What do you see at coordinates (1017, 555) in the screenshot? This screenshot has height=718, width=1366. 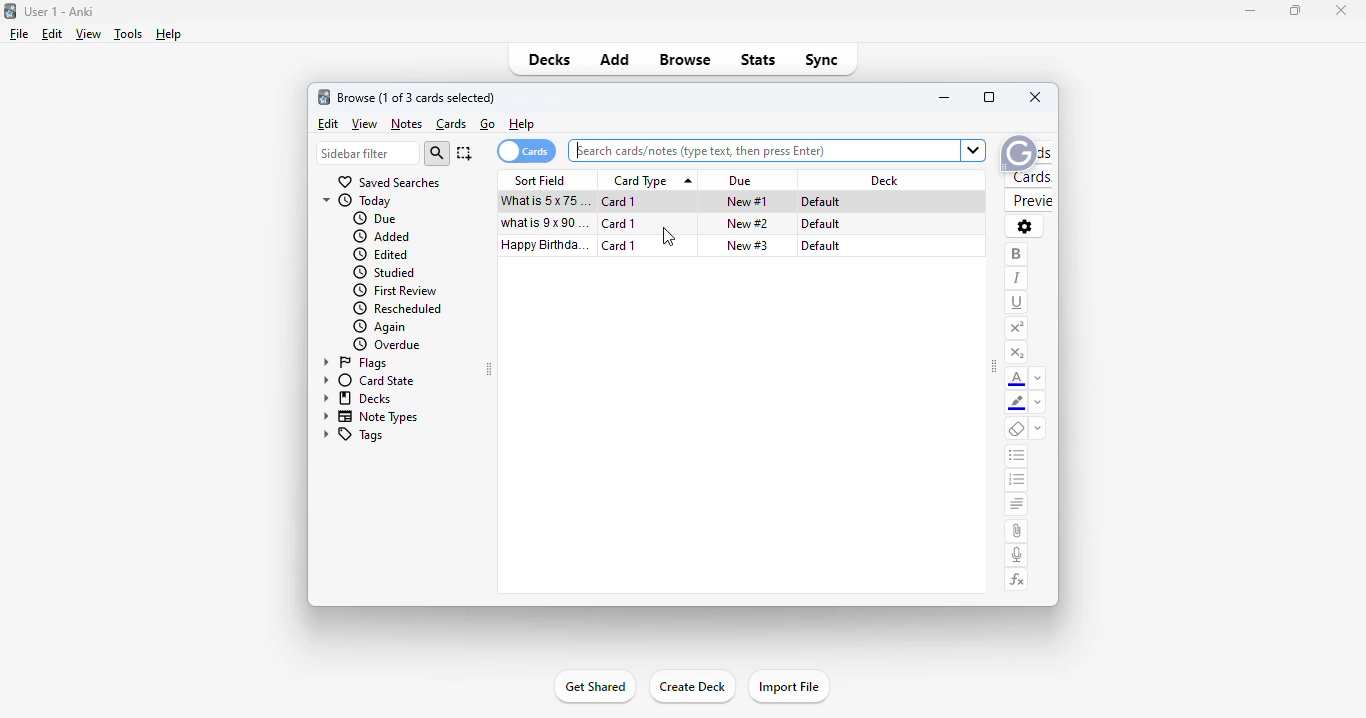 I see `record audio` at bounding box center [1017, 555].